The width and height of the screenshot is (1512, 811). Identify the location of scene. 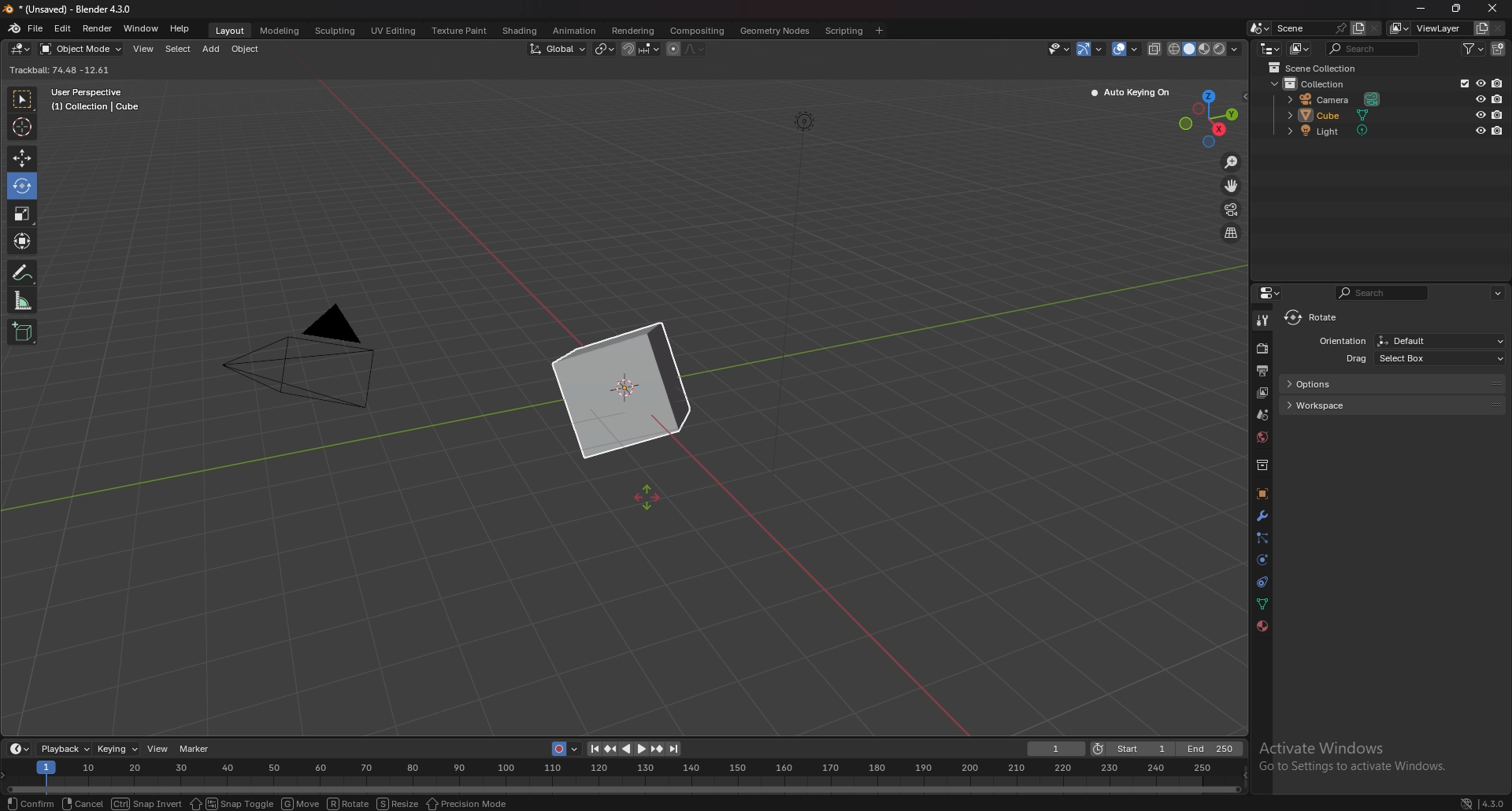
(1263, 413).